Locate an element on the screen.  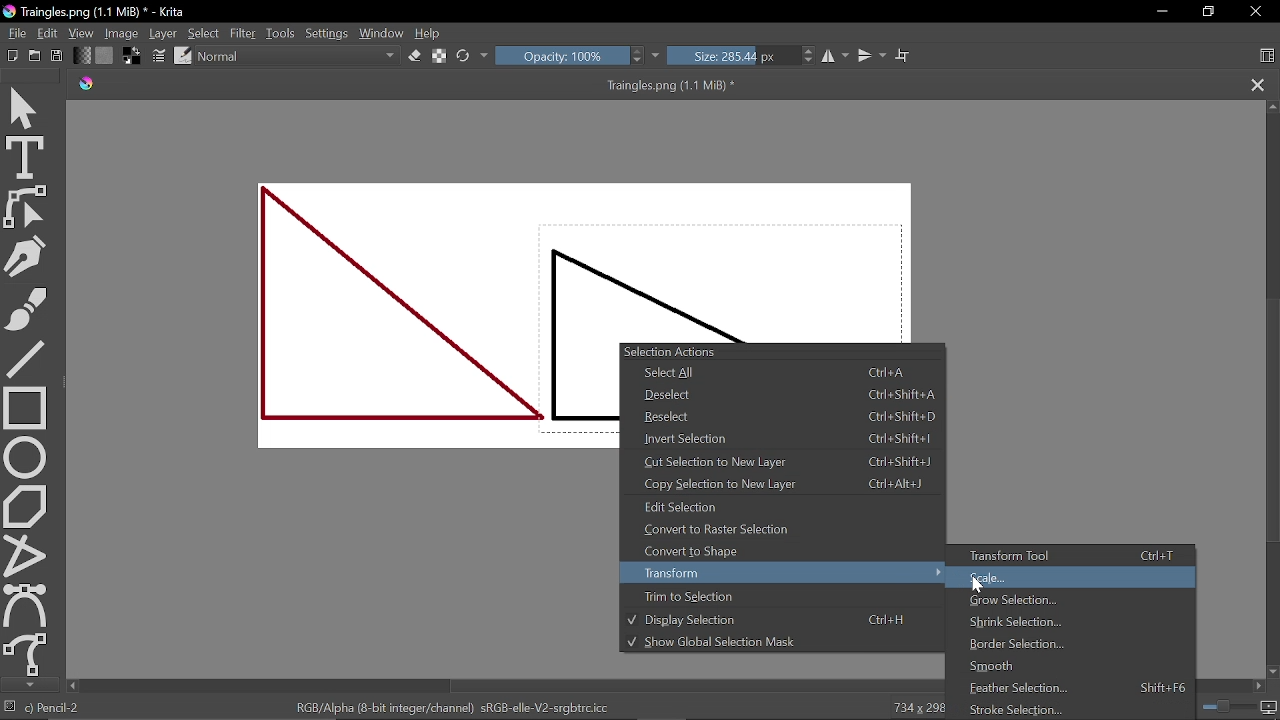
Help is located at coordinates (430, 34).